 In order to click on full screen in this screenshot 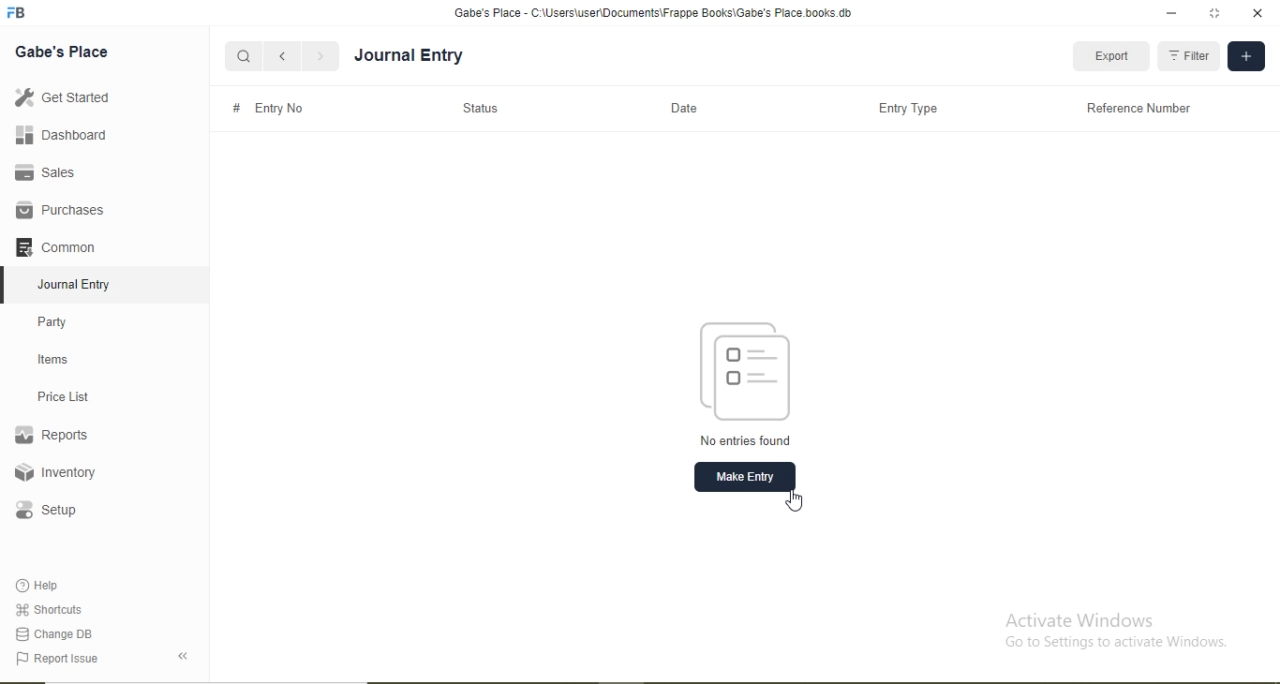, I will do `click(1215, 13)`.